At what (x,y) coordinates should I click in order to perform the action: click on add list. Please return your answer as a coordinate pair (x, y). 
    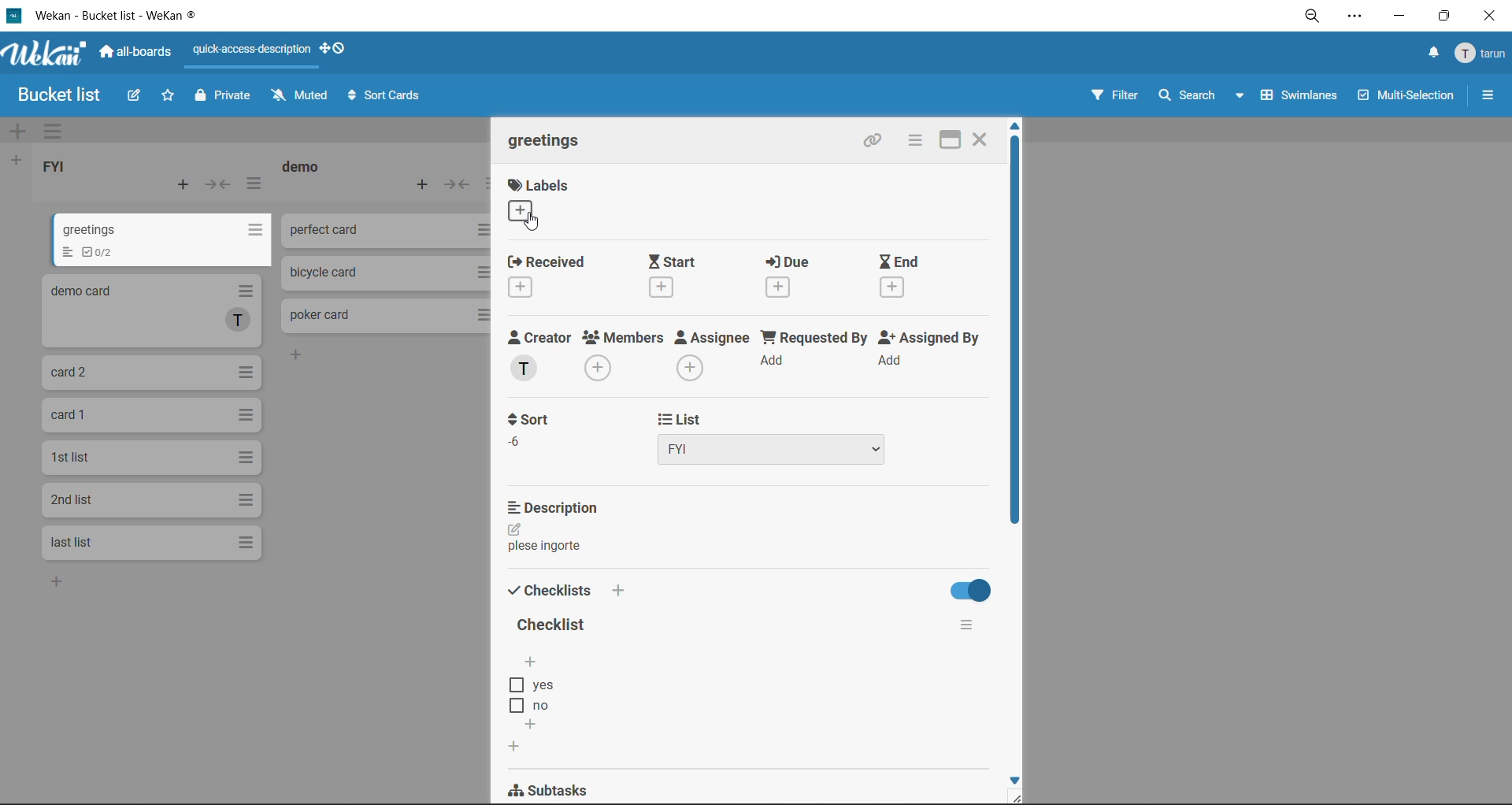
    Looking at the image, I should click on (17, 161).